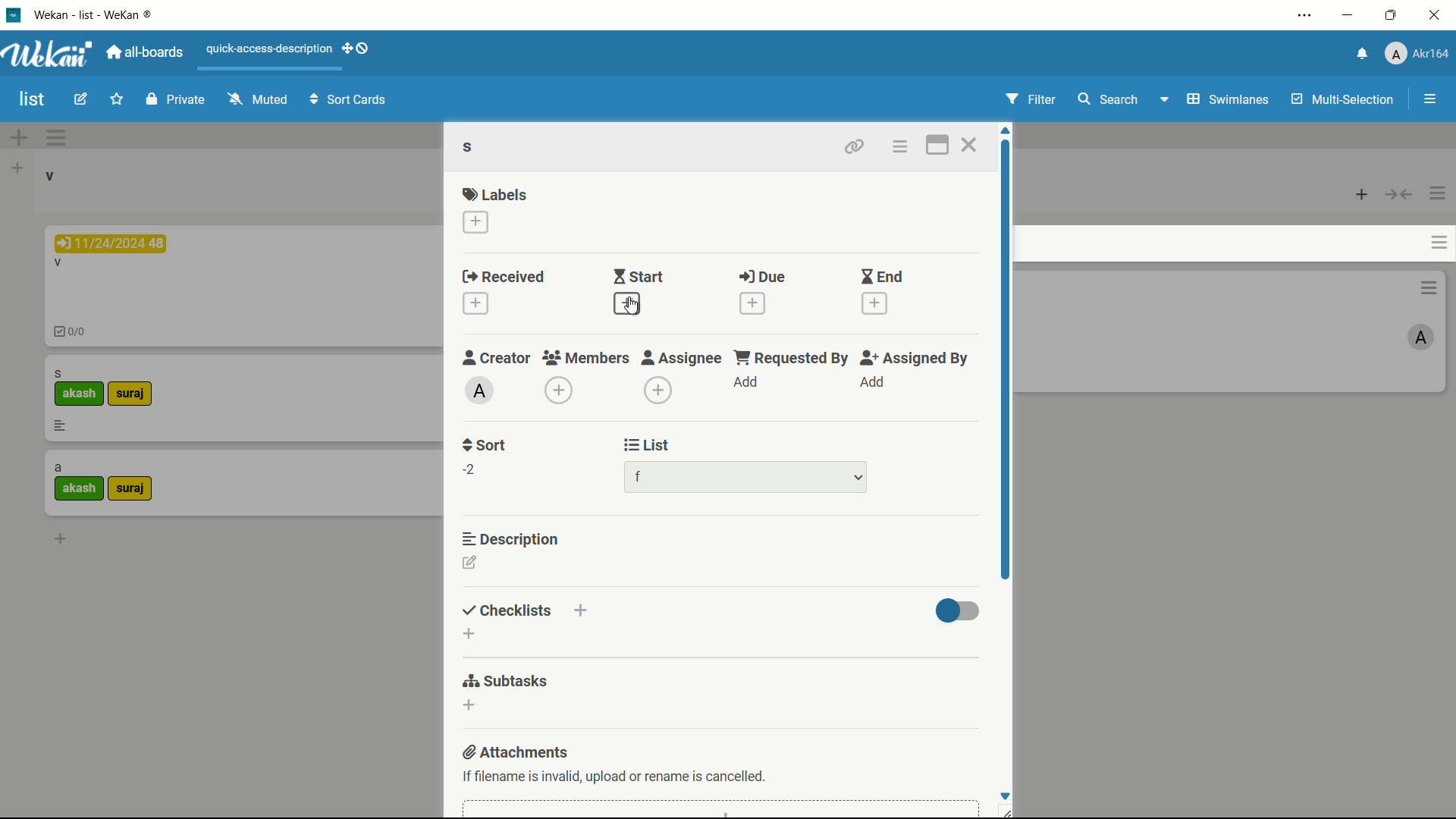 The width and height of the screenshot is (1456, 819). I want to click on add member, so click(558, 391).